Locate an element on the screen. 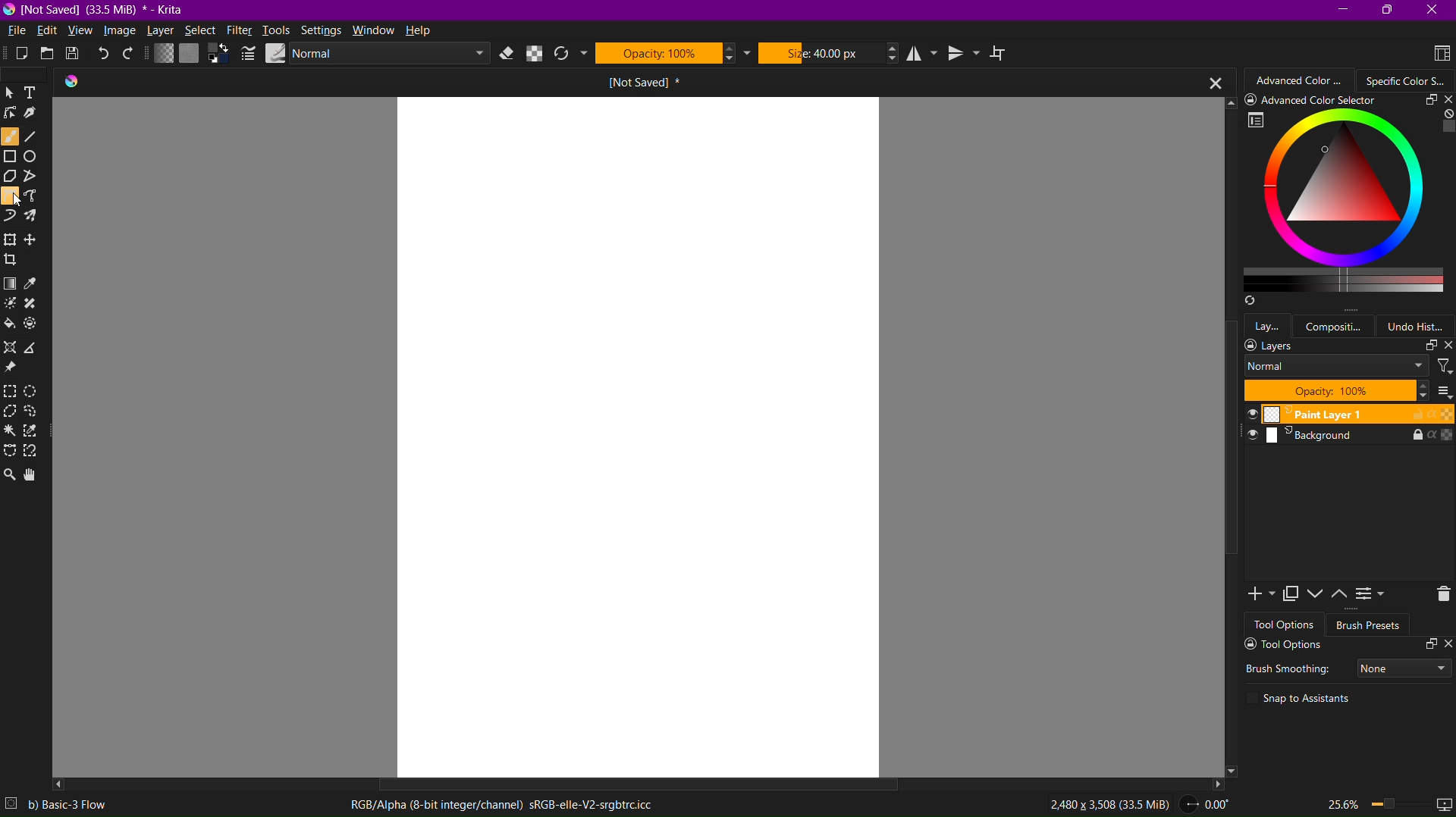 Image resolution: width=1456 pixels, height=817 pixels. Opacity is located at coordinates (673, 52).